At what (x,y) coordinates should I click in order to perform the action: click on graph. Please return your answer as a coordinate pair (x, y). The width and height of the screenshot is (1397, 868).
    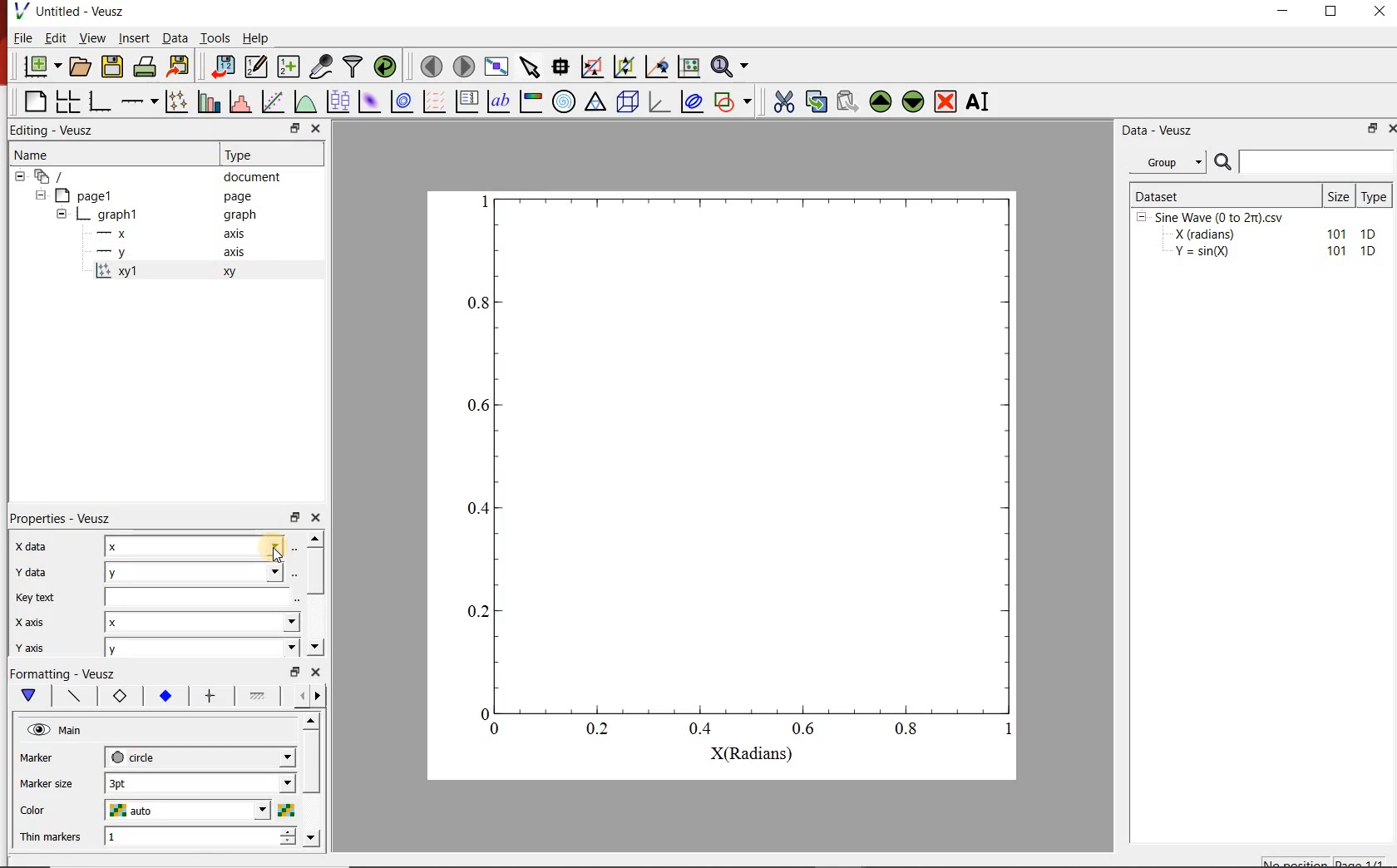
    Looking at the image, I should click on (238, 214).